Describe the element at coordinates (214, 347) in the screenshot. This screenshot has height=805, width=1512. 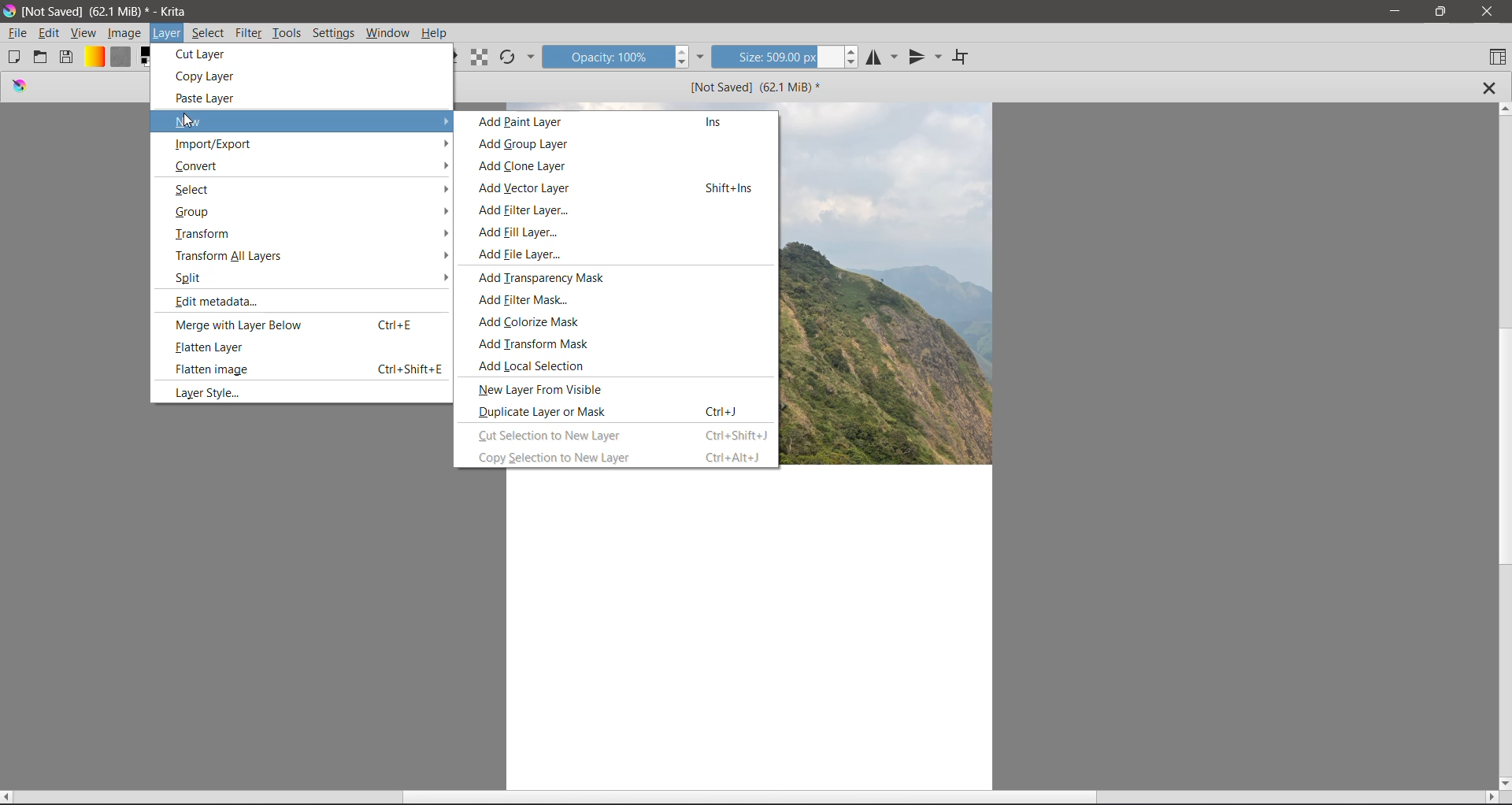
I see `Flatten Layer` at that location.